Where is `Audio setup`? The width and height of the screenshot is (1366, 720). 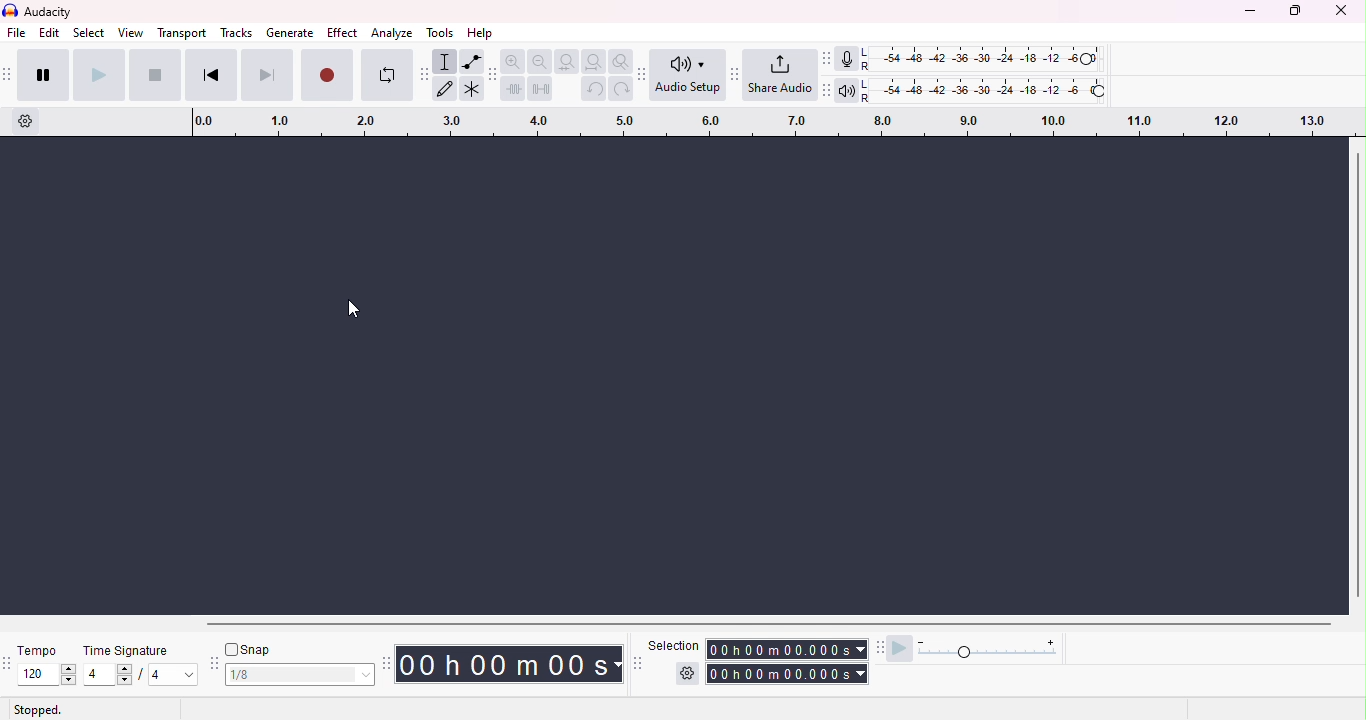
Audio setup is located at coordinates (689, 73).